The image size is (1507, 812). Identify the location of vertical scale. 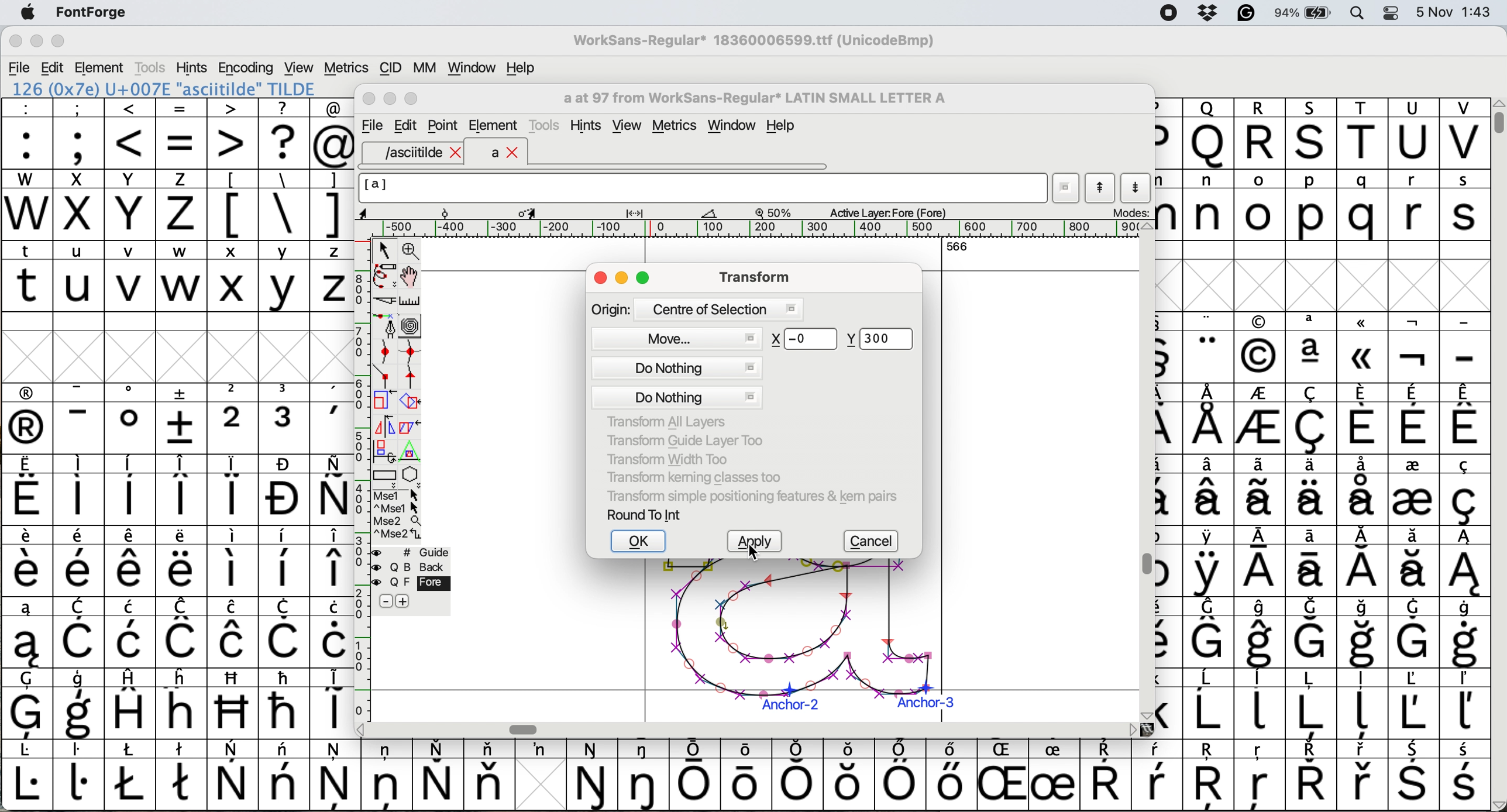
(361, 466).